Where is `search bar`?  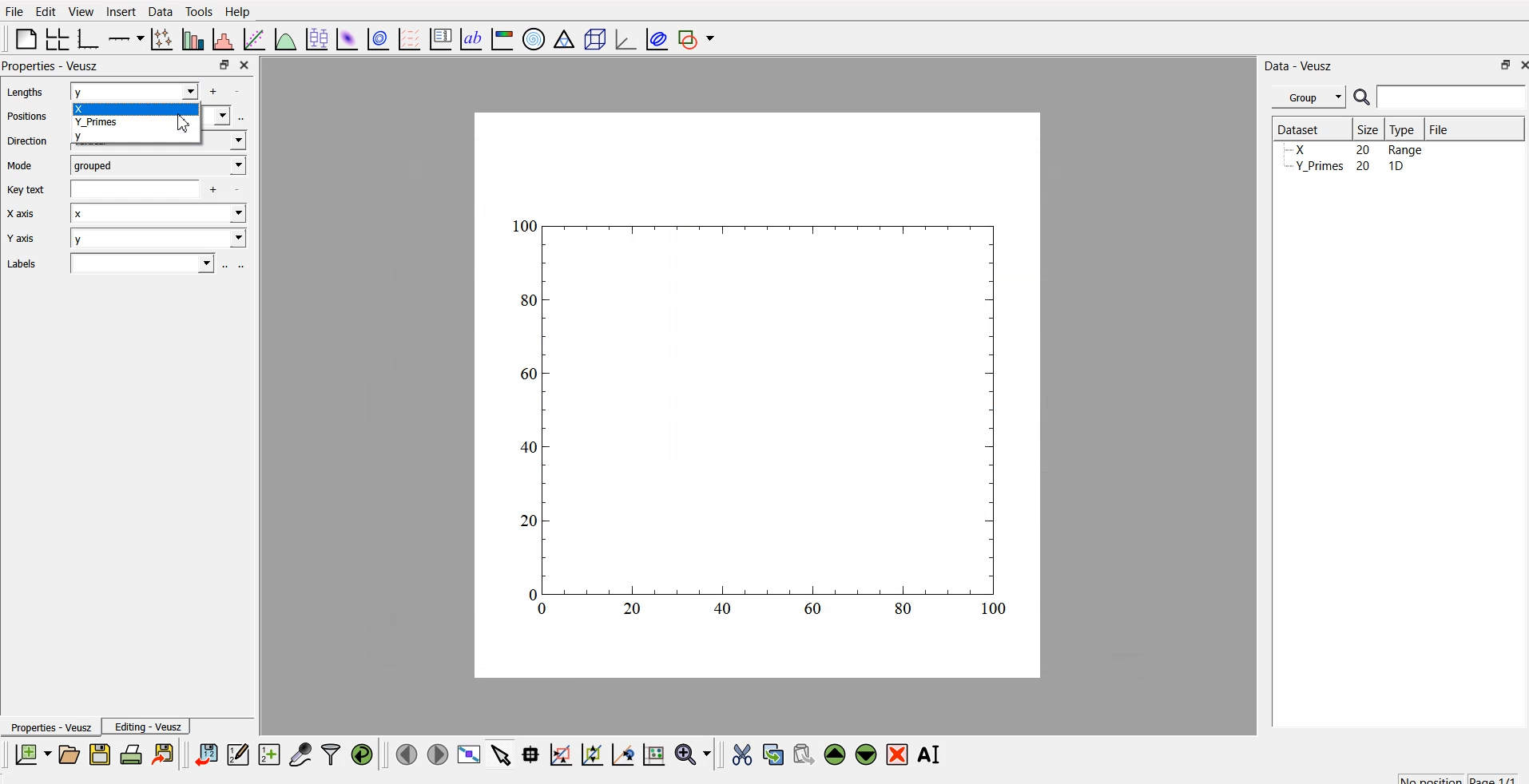
search bar is located at coordinates (1452, 97).